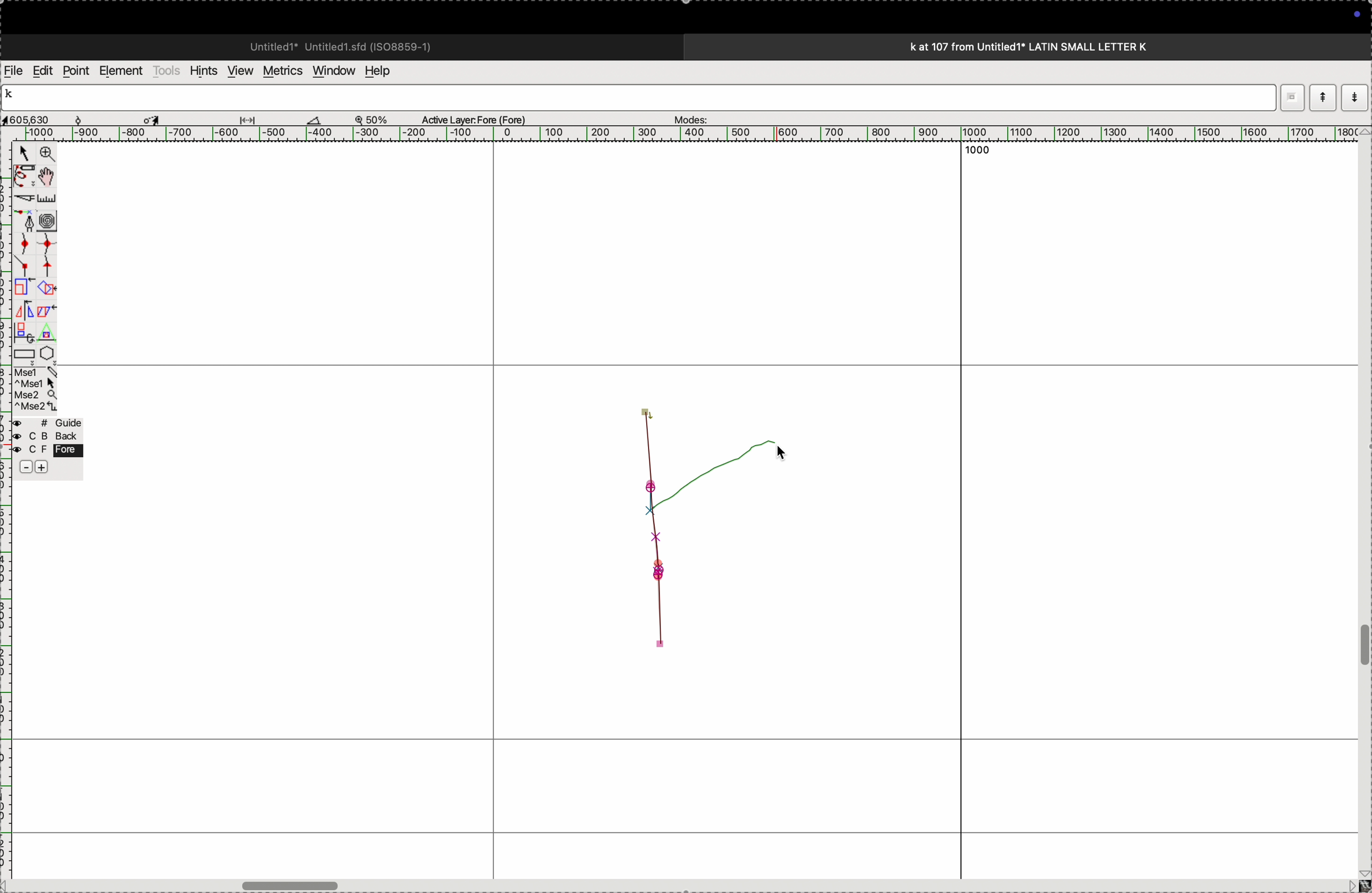 Image resolution: width=1372 pixels, height=893 pixels. I want to click on cursor, so click(789, 454).